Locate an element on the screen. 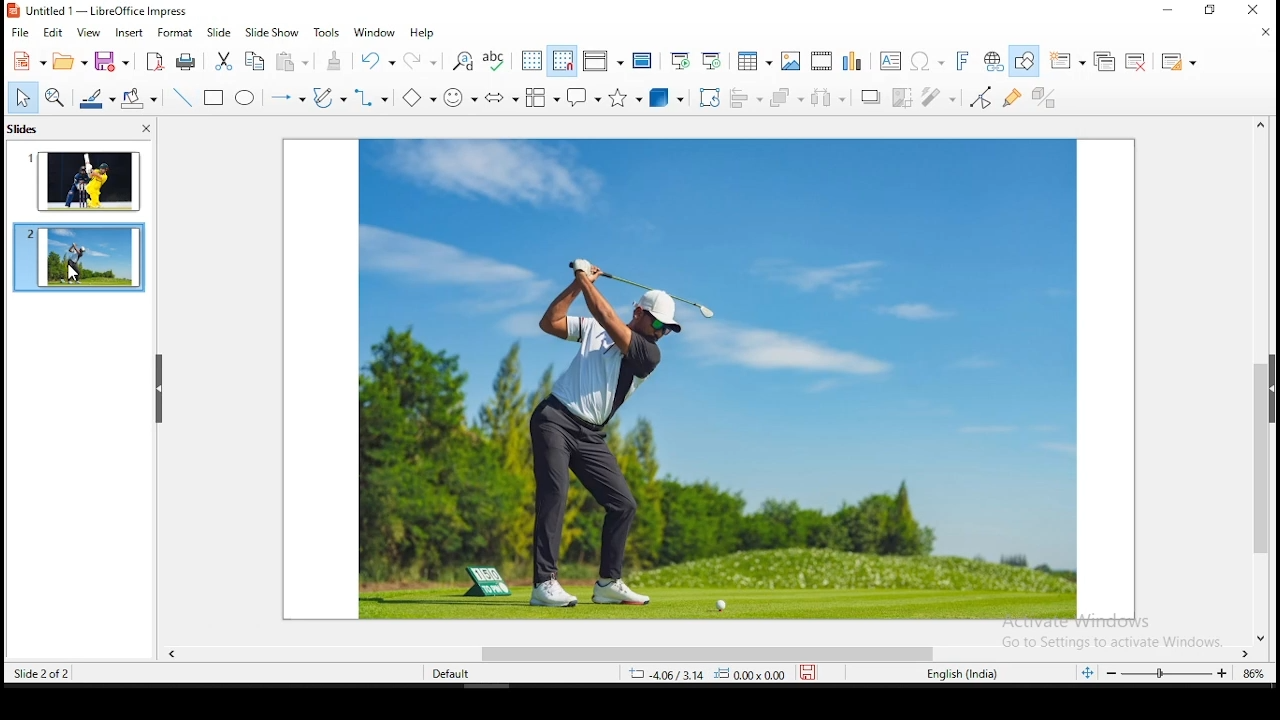  scroll bar is located at coordinates (712, 653).